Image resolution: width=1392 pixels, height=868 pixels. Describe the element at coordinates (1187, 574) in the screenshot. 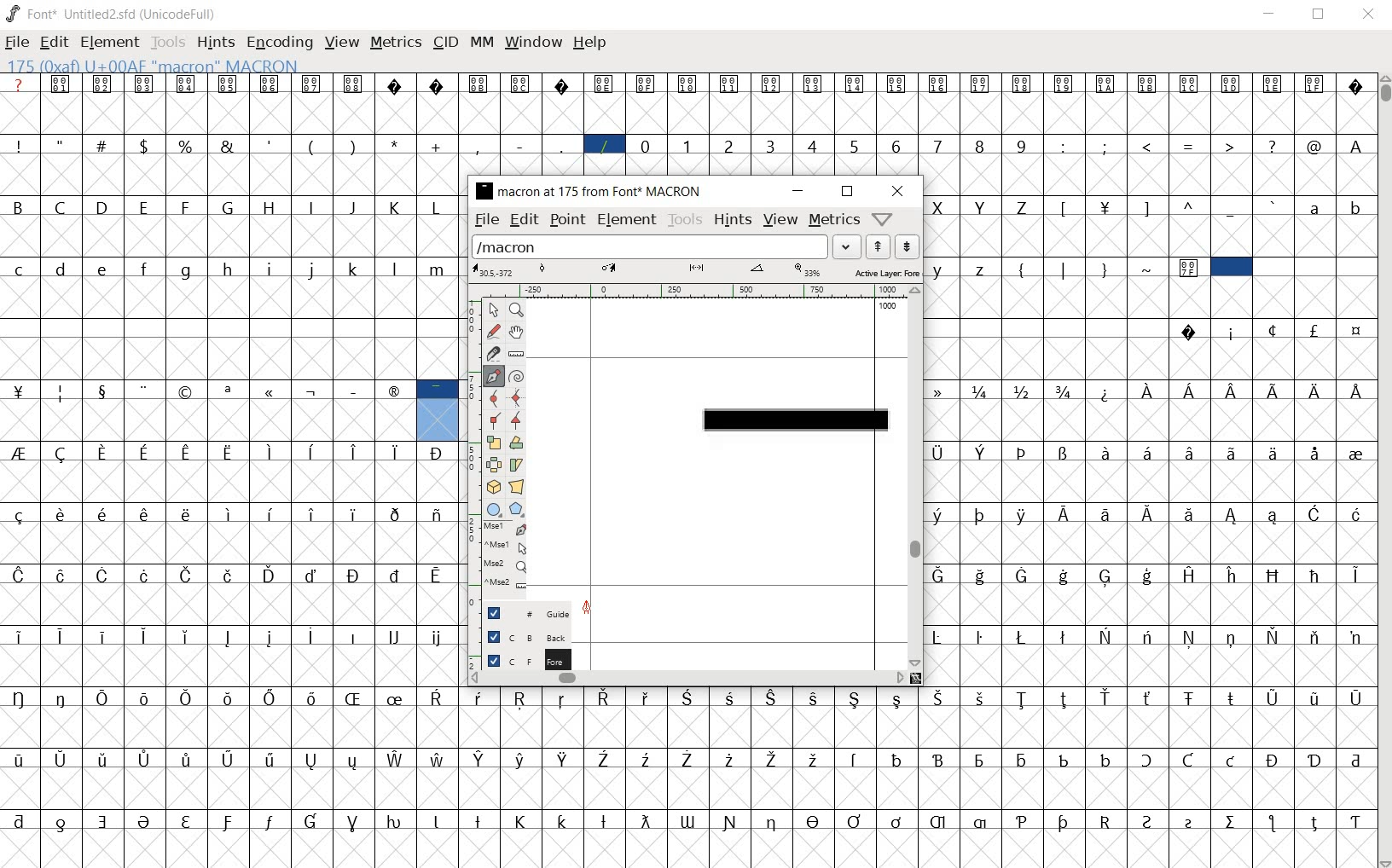

I see `Symbol` at that location.